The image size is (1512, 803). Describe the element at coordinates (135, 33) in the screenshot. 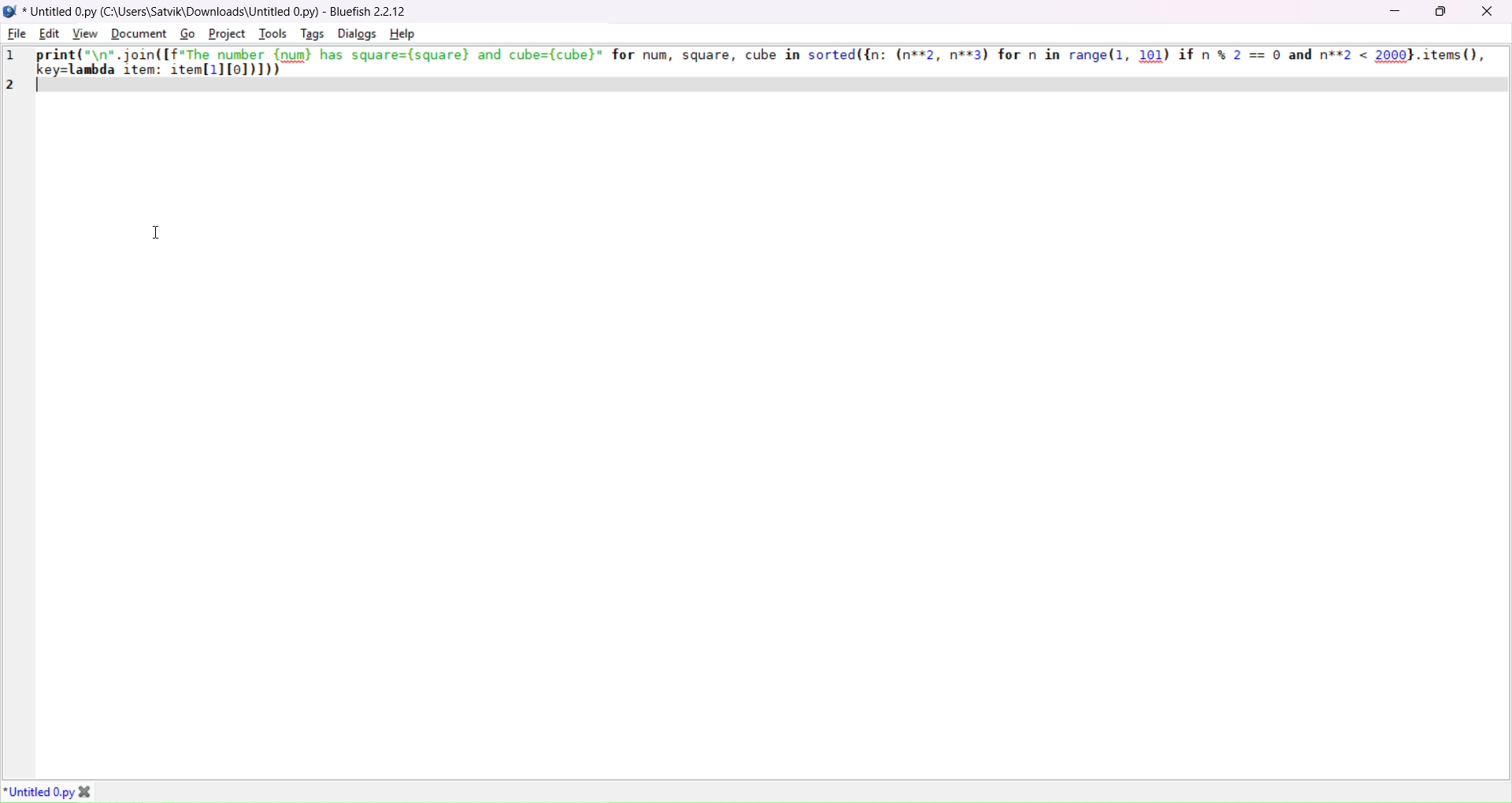

I see `document` at that location.